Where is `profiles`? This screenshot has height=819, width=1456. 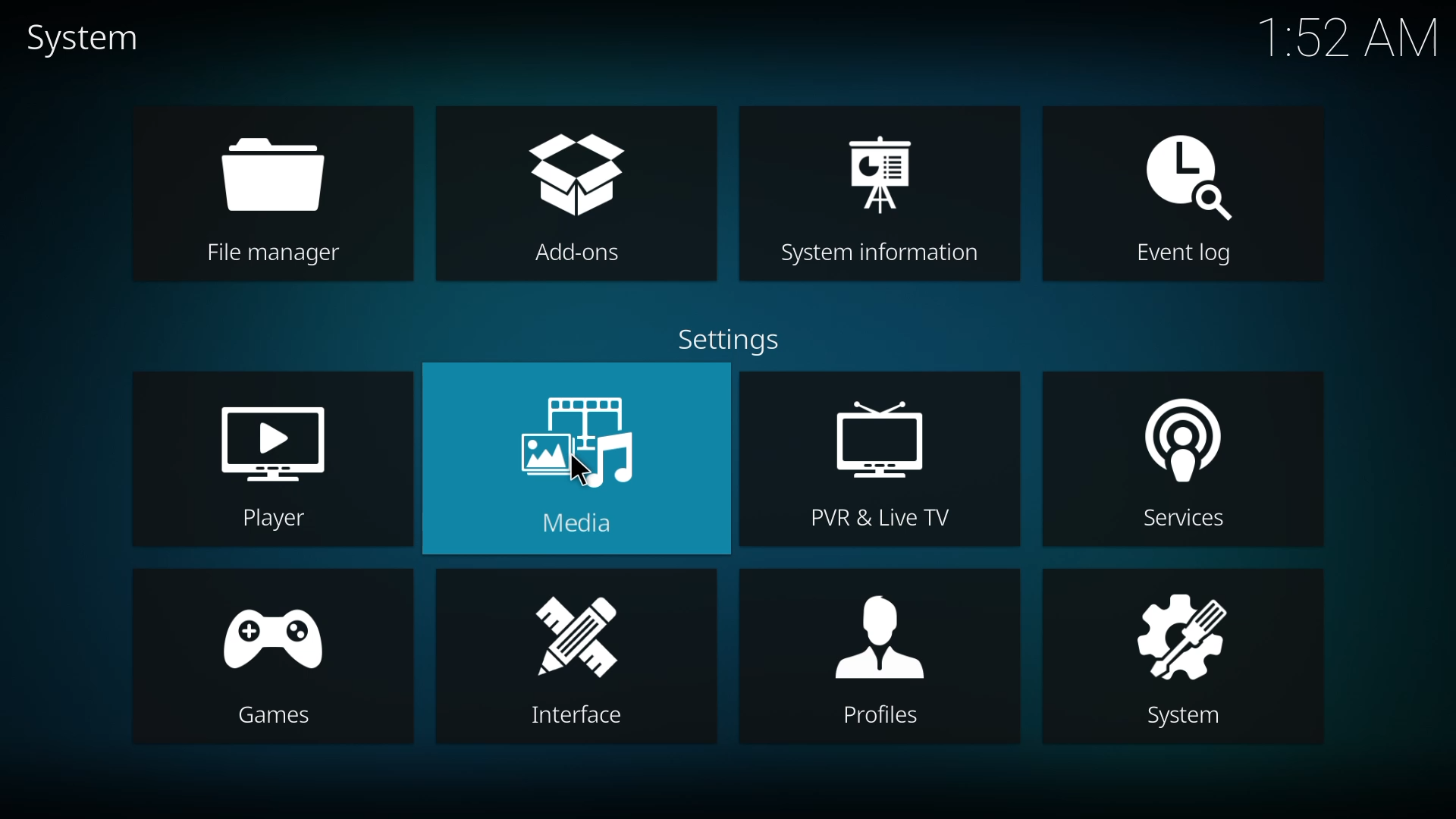 profiles is located at coordinates (867, 650).